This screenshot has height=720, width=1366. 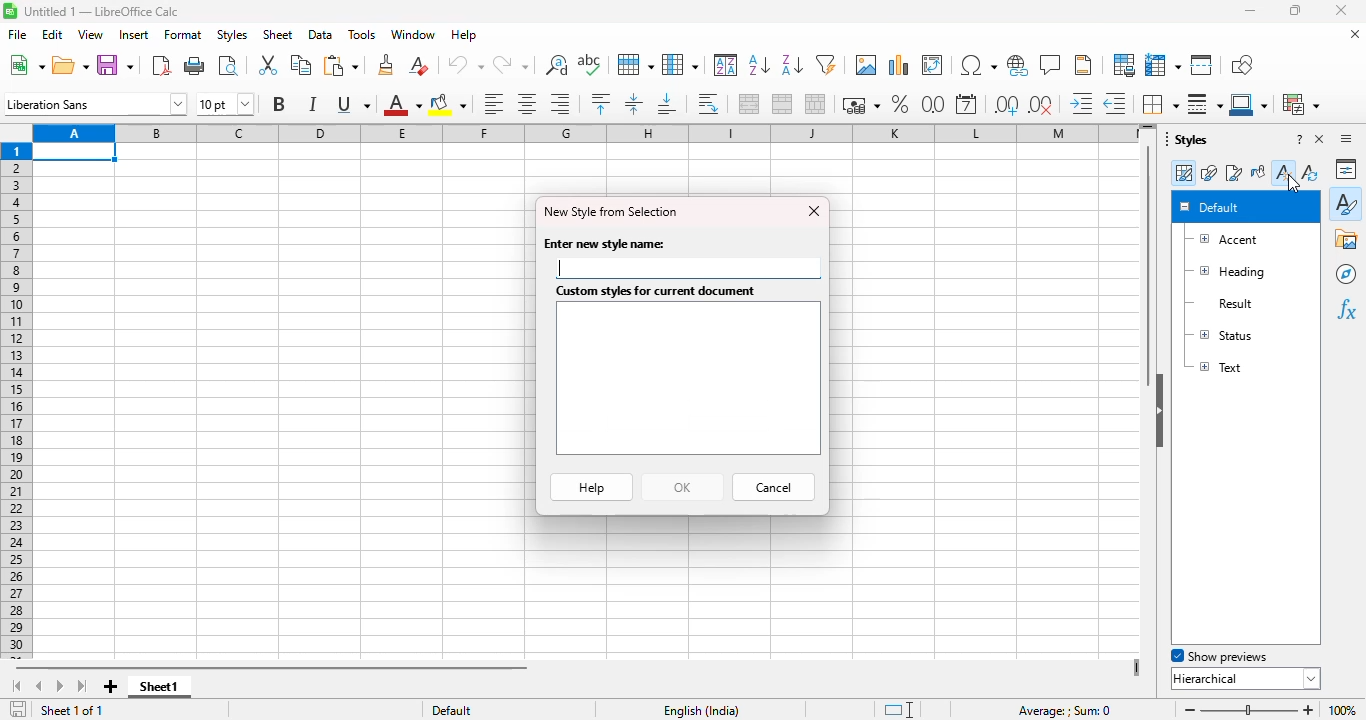 I want to click on scroll to last sheet, so click(x=84, y=687).